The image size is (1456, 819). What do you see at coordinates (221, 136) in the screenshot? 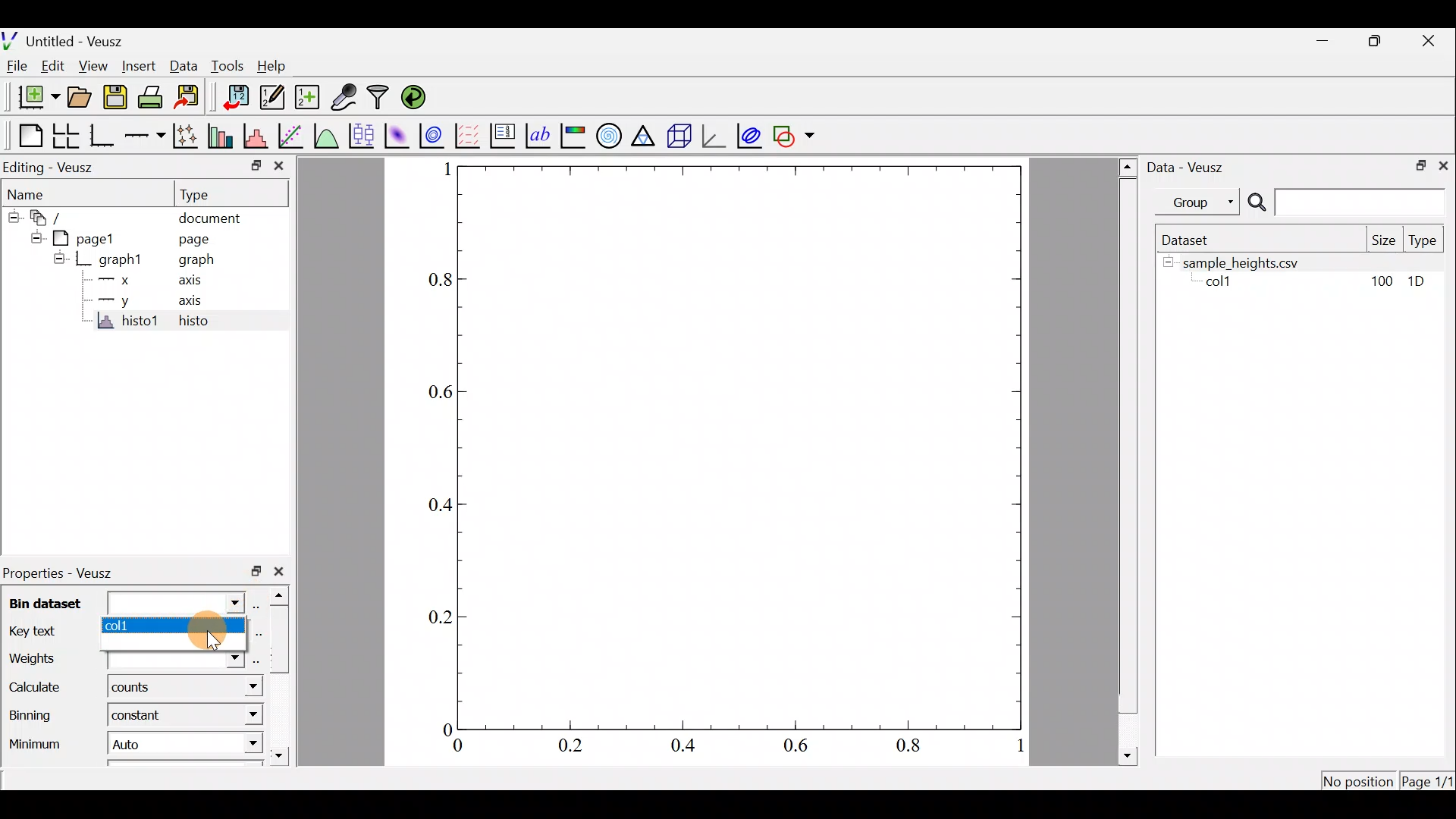
I see `plot bar charts` at bounding box center [221, 136].